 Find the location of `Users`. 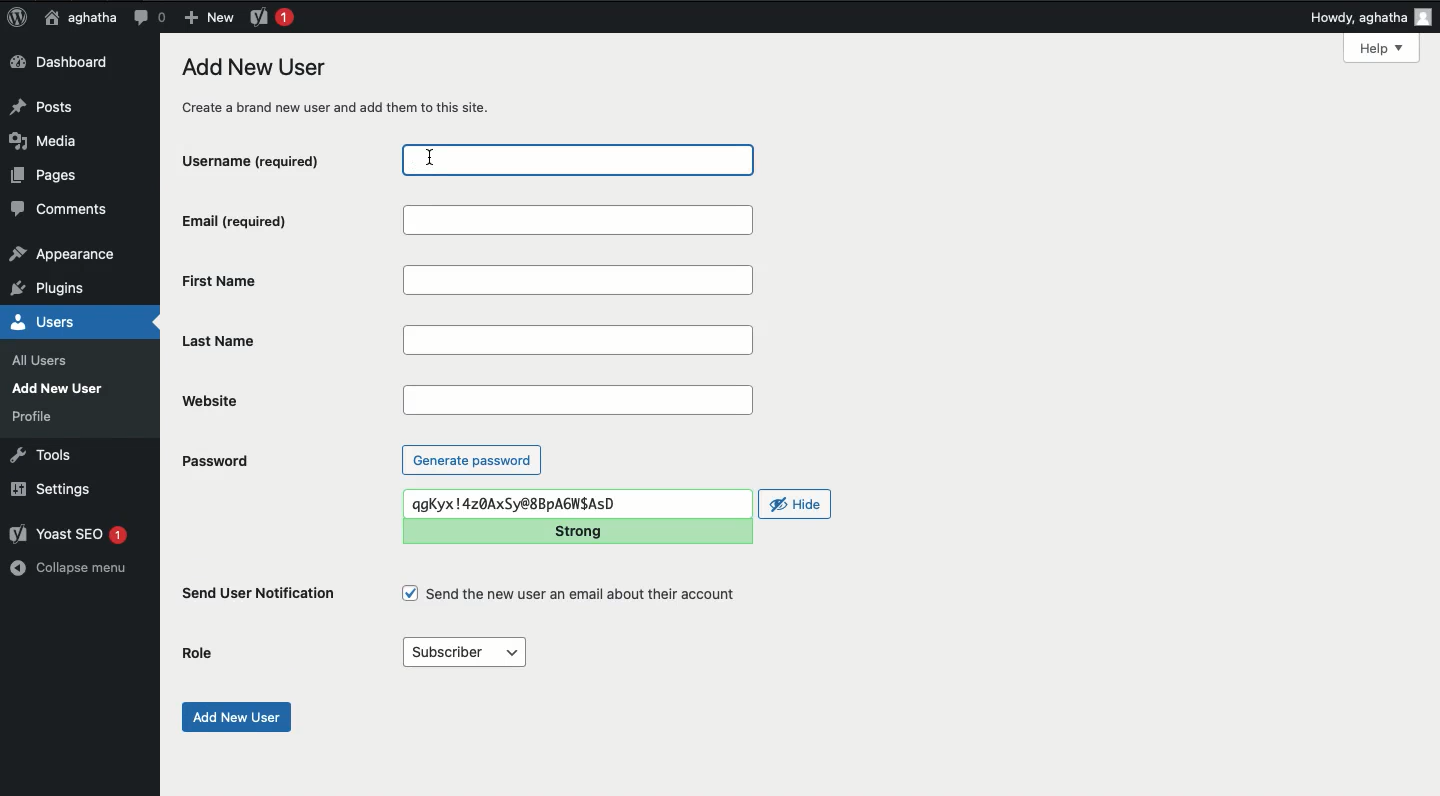

Users is located at coordinates (54, 323).